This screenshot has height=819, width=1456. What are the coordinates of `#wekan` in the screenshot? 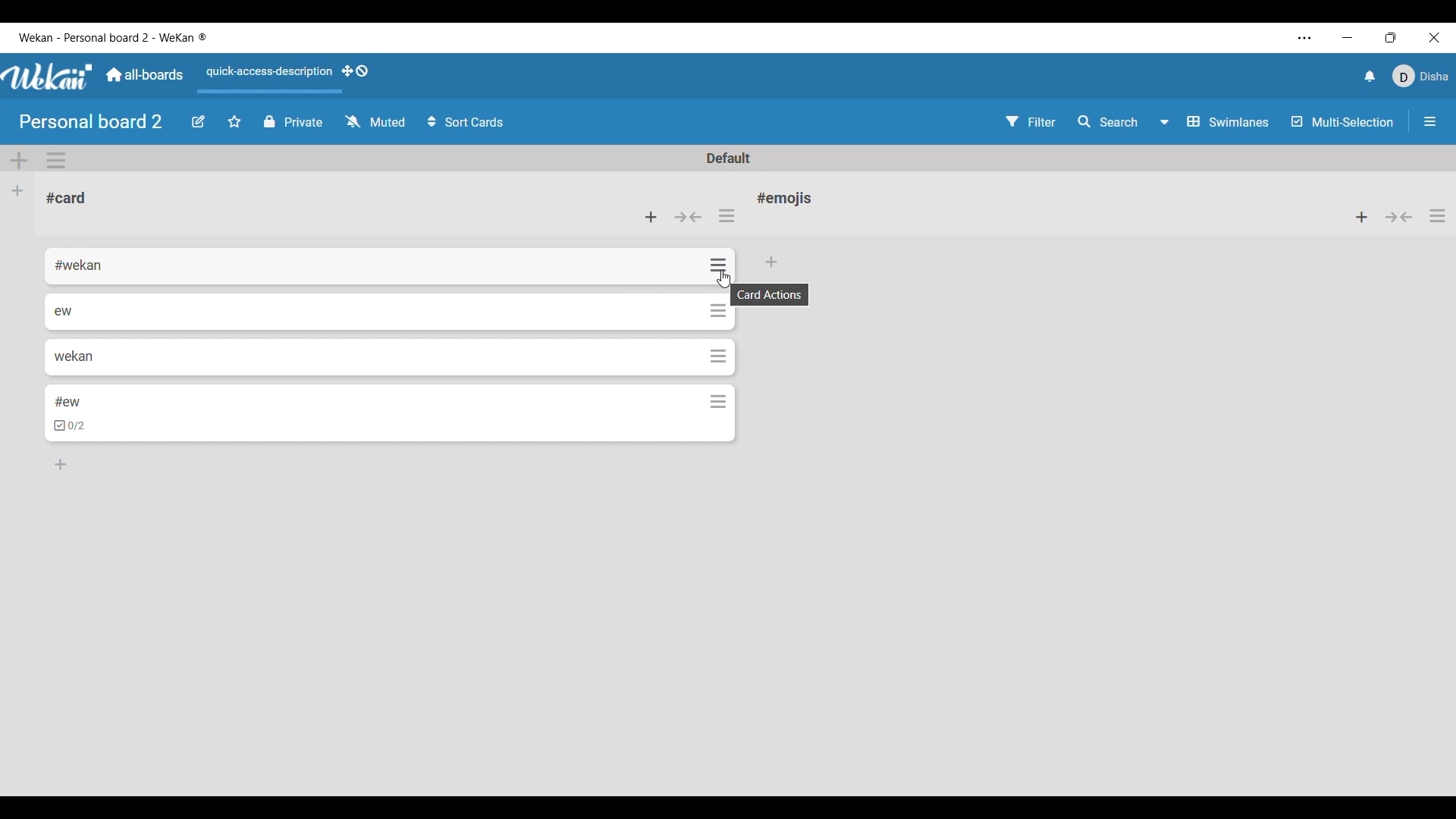 It's located at (80, 266).